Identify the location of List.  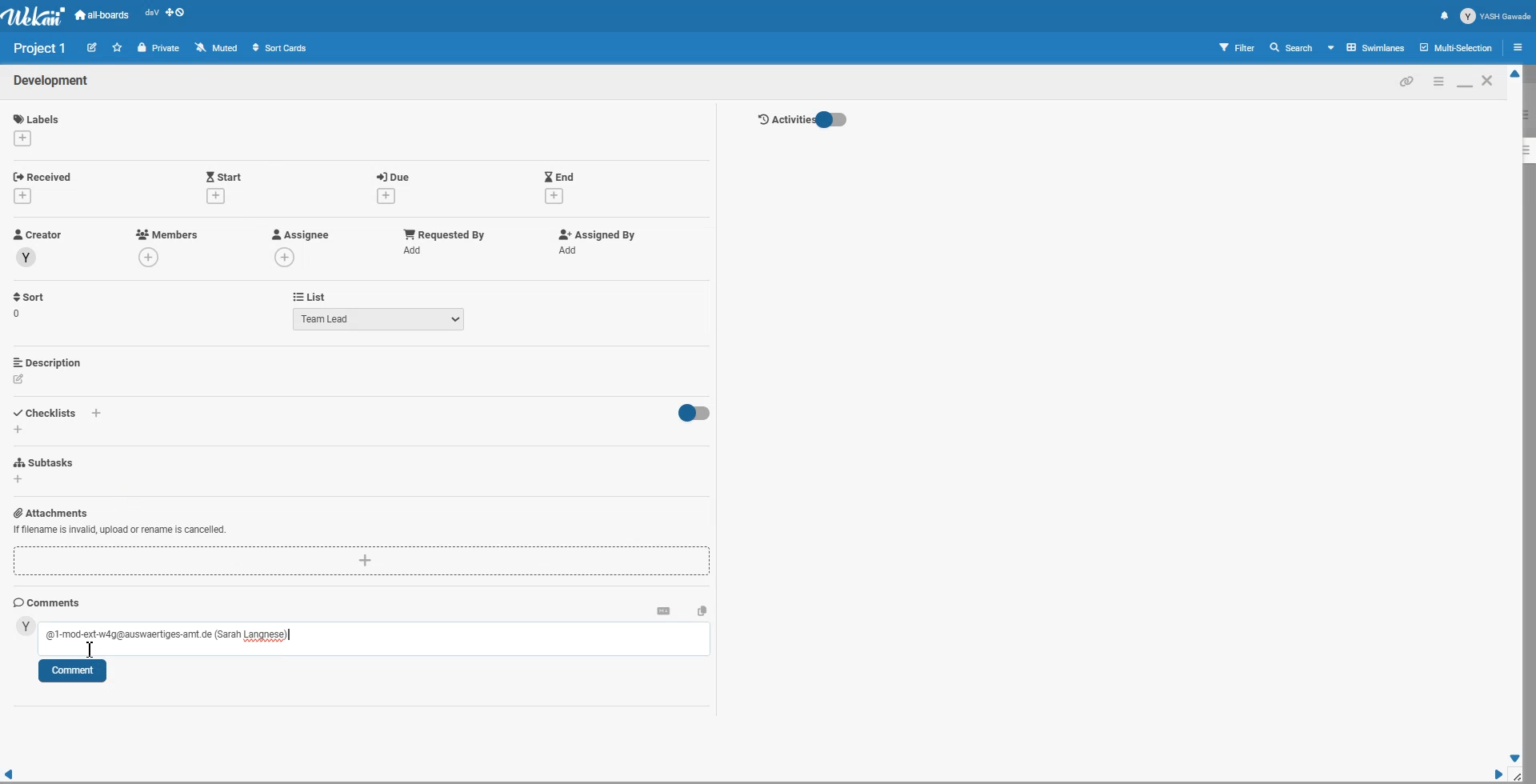
(309, 296).